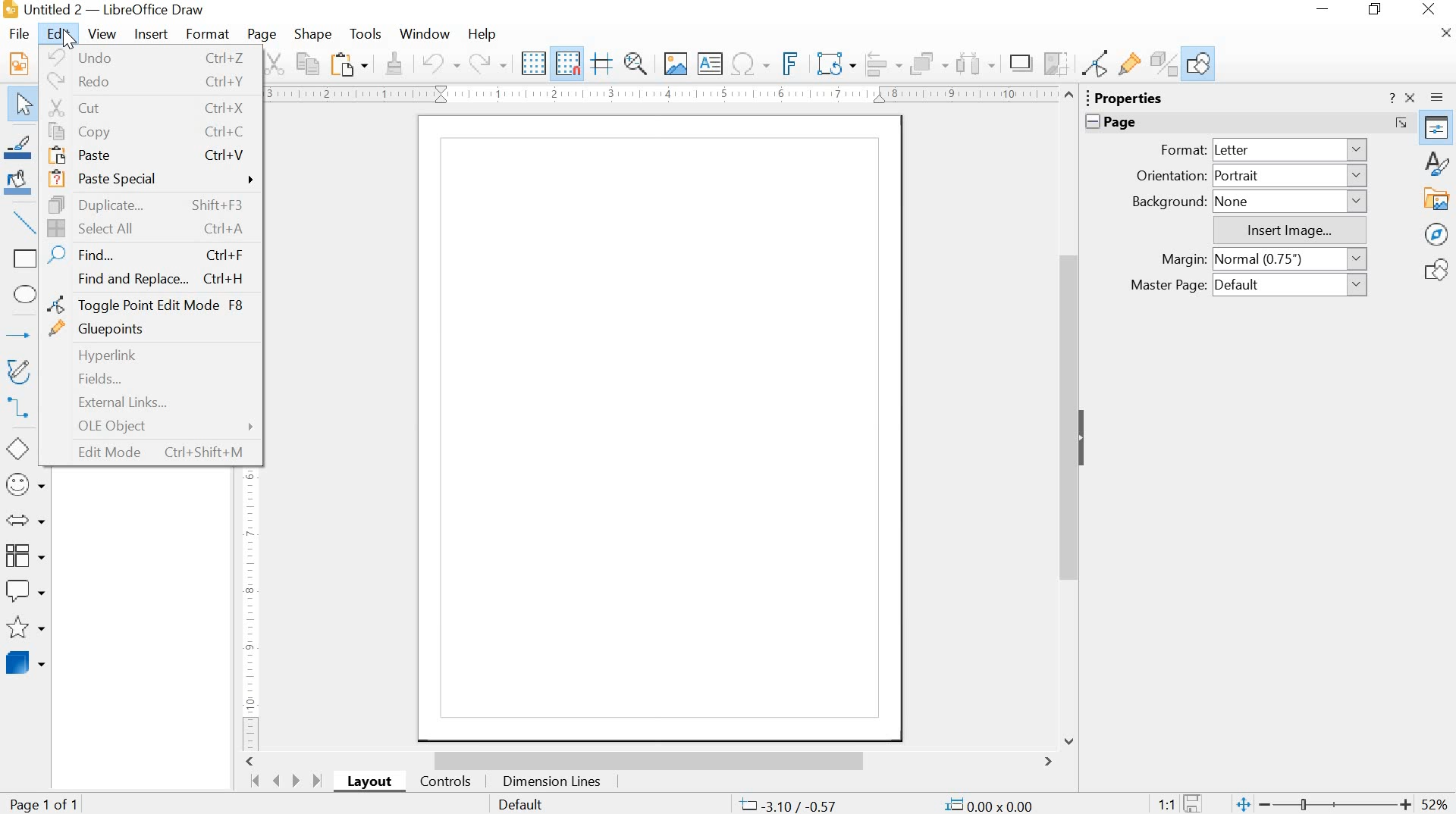 This screenshot has height=814, width=1456. I want to click on Default, so click(522, 803).